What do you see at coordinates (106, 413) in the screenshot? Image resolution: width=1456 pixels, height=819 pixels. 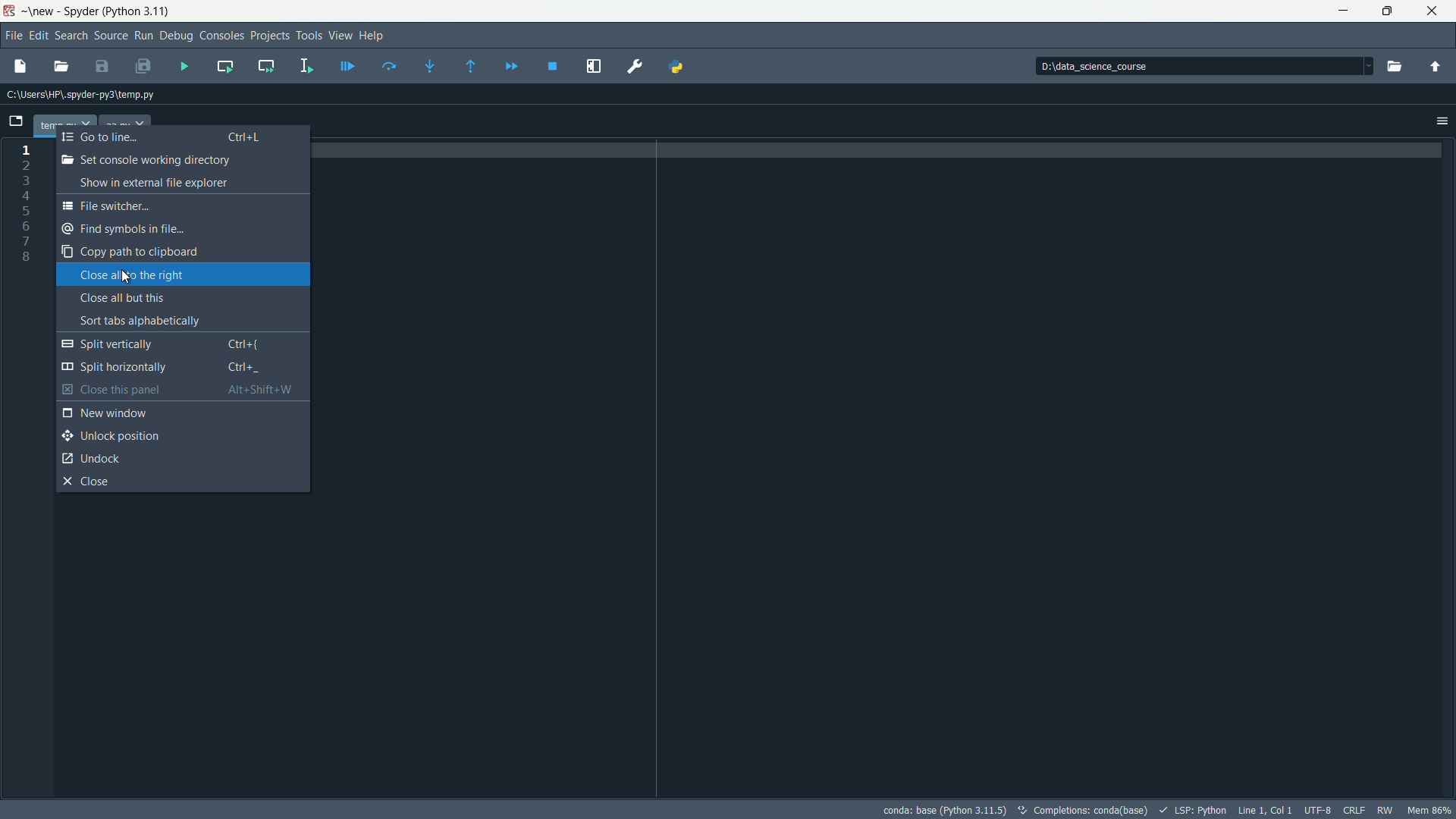 I see `new window` at bounding box center [106, 413].